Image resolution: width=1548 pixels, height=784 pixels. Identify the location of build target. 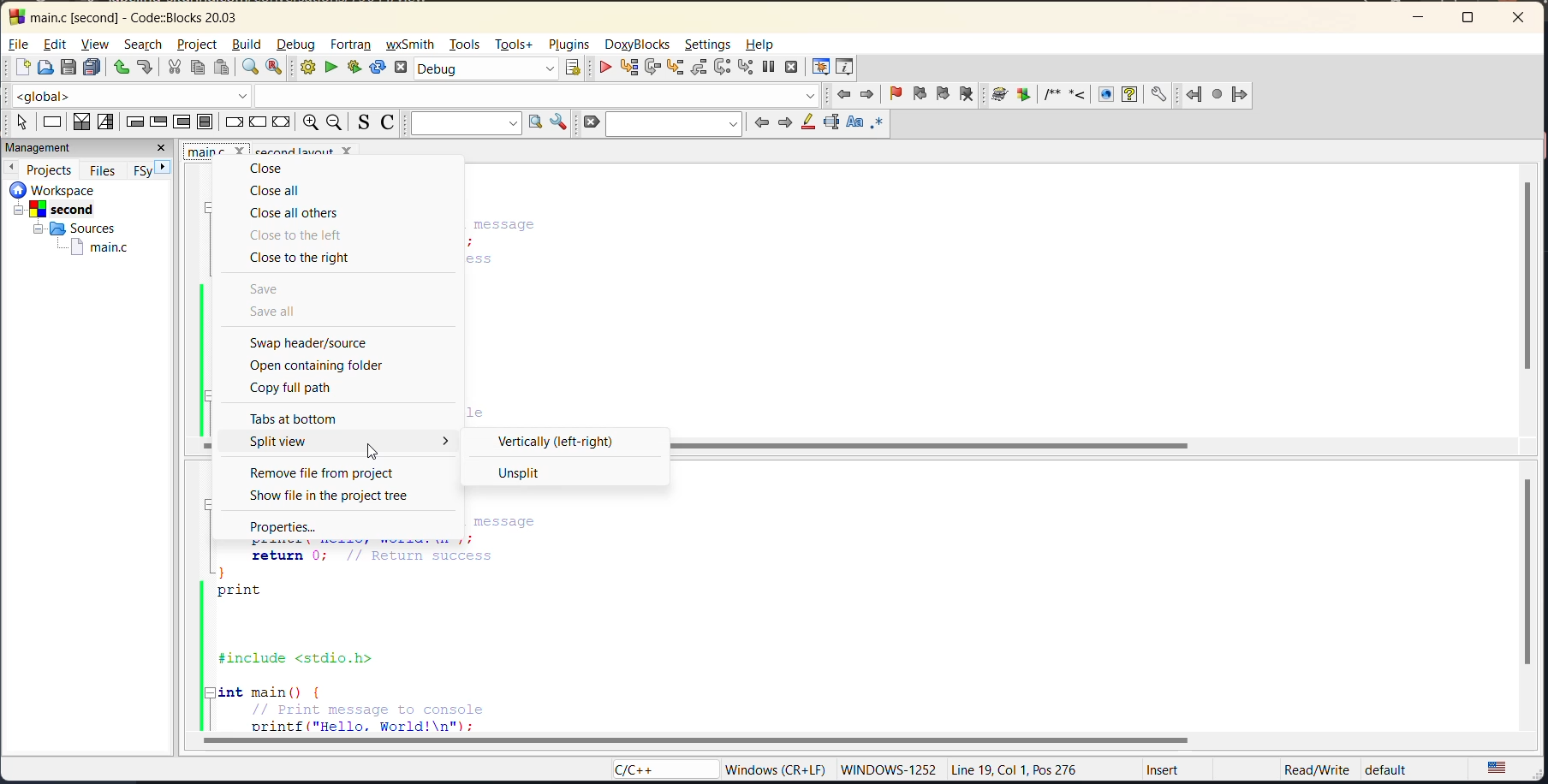
(487, 68).